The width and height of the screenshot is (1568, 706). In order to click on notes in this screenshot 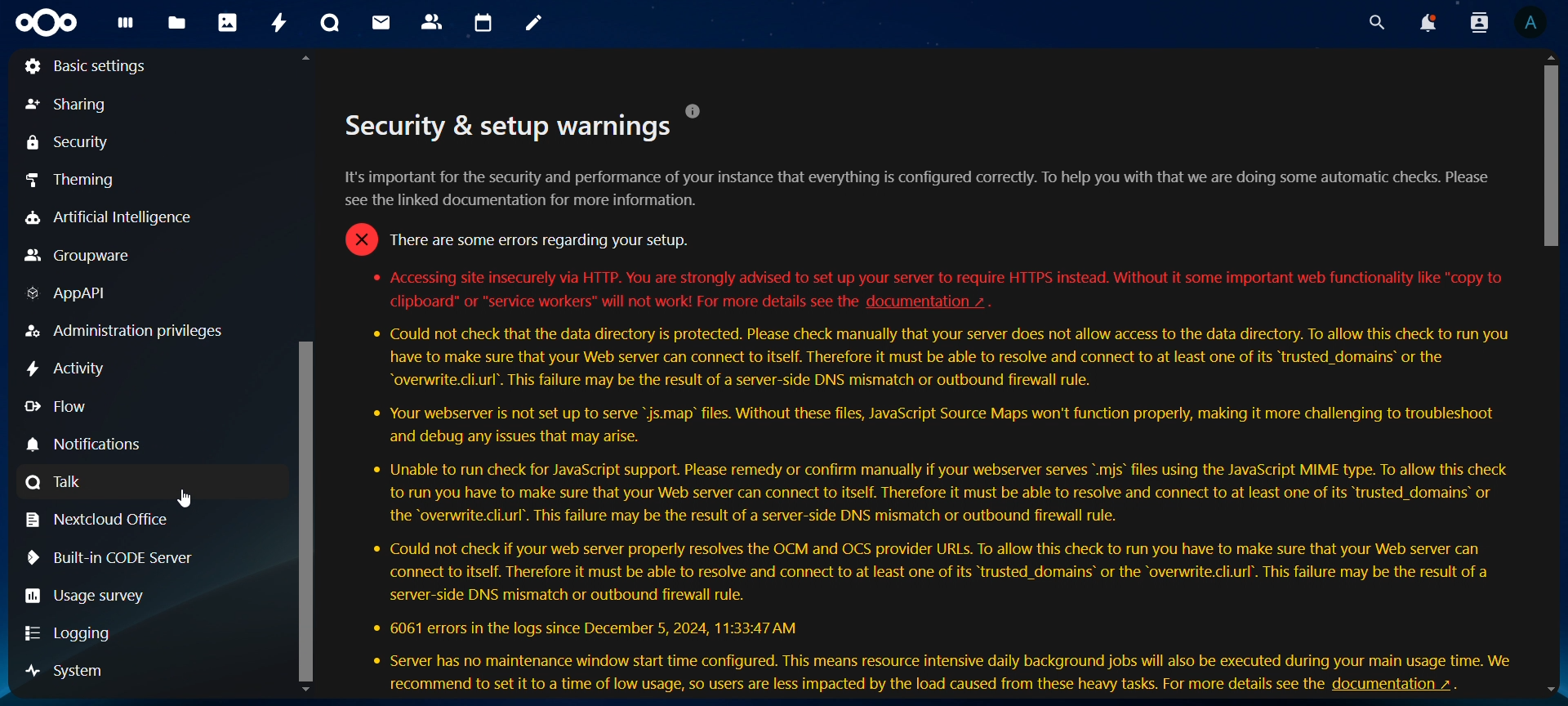, I will do `click(533, 25)`.